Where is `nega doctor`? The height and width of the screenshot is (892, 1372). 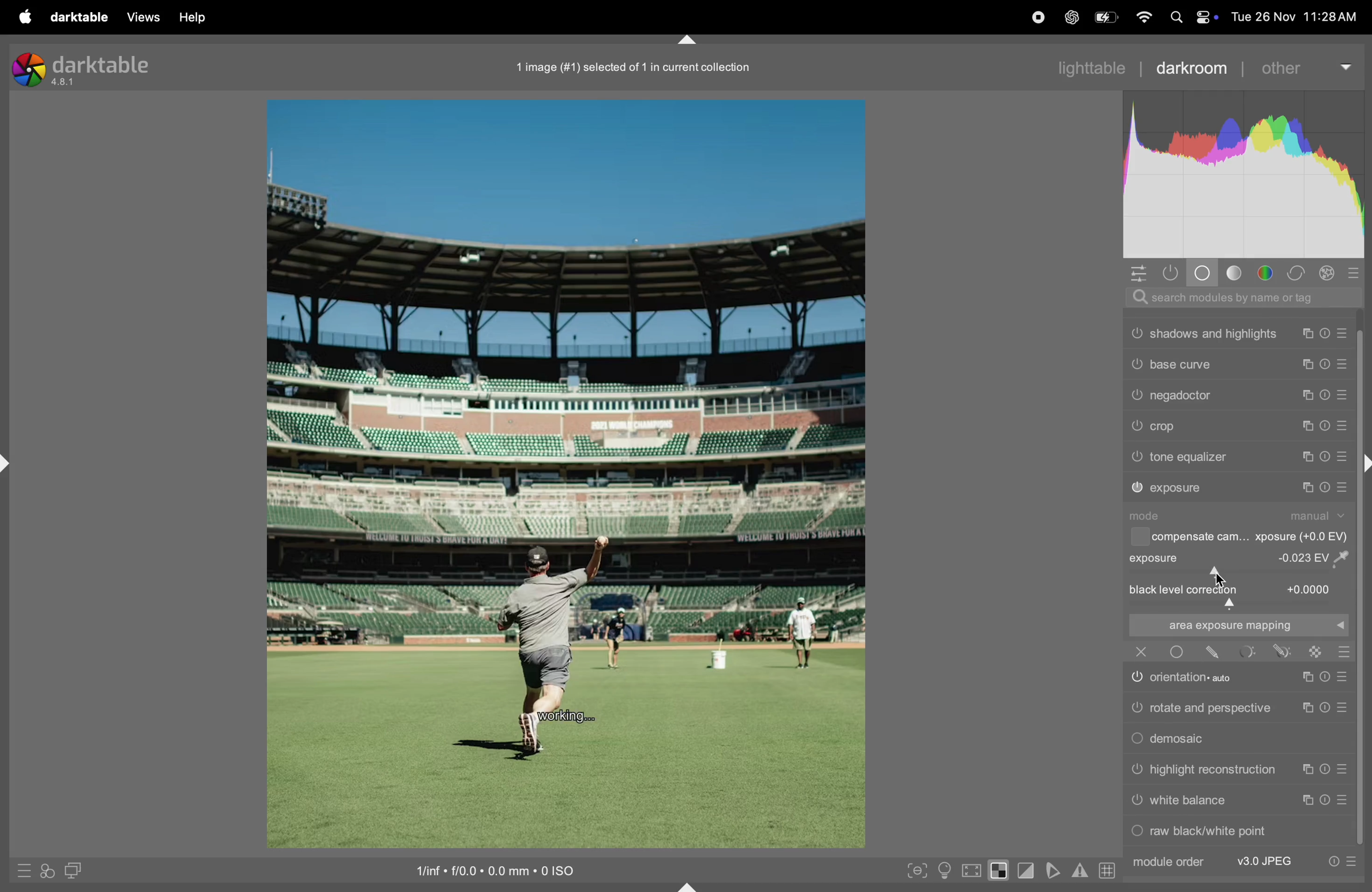
nega doctor is located at coordinates (1183, 398).